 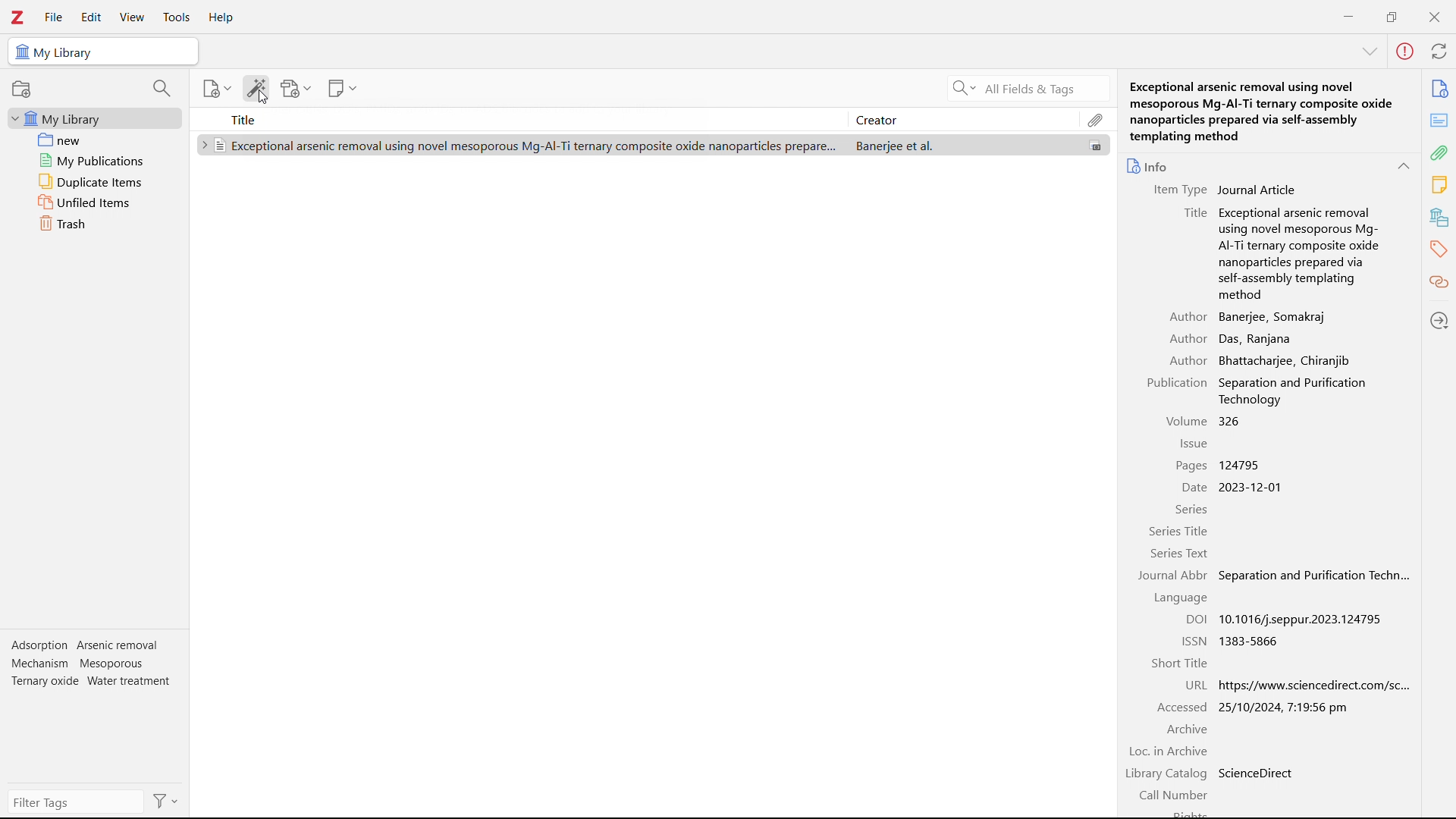 I want to click on trash, so click(x=96, y=223).